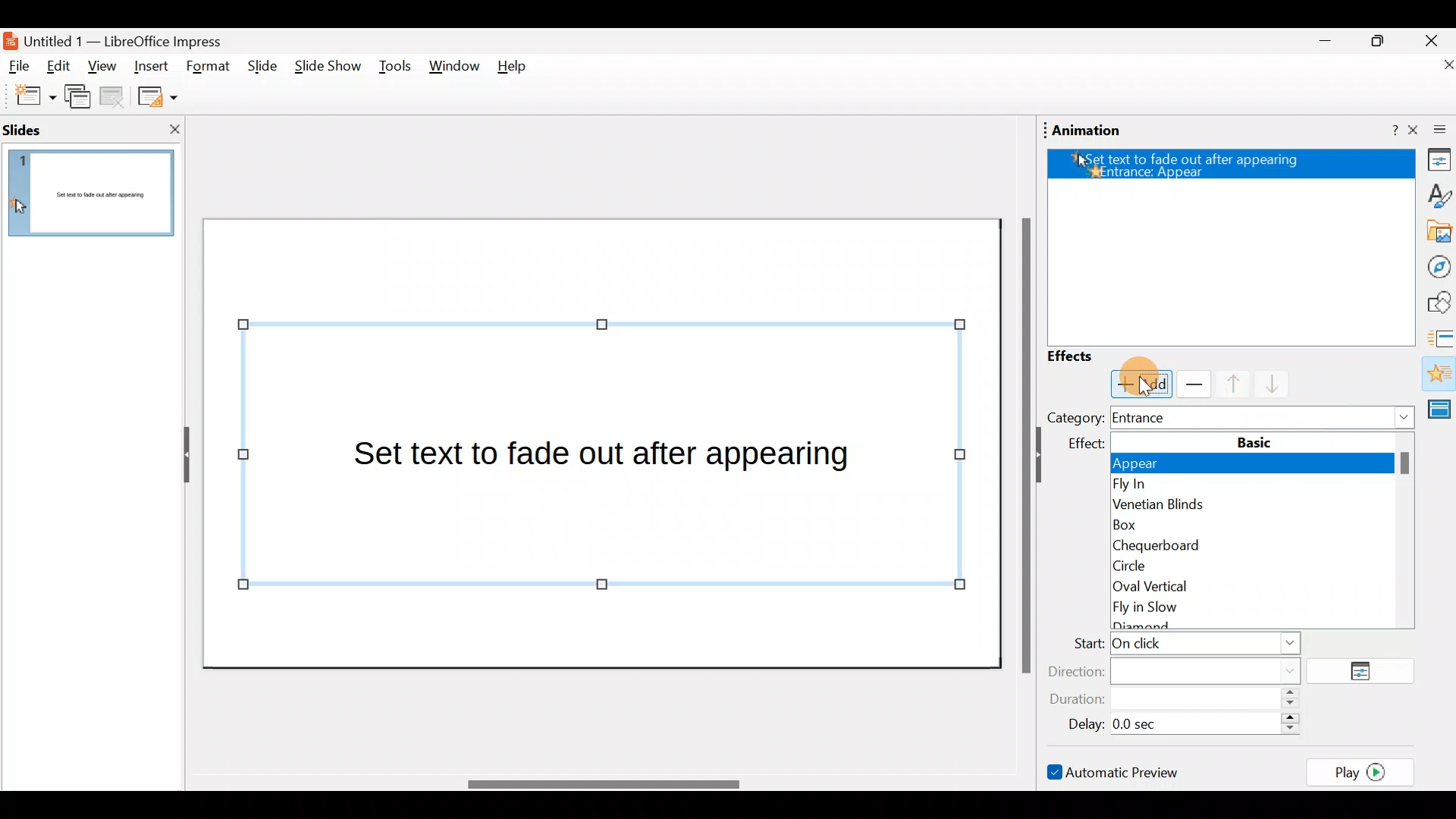 This screenshot has width=1456, height=819. What do you see at coordinates (1365, 771) in the screenshot?
I see `Play` at bounding box center [1365, 771].